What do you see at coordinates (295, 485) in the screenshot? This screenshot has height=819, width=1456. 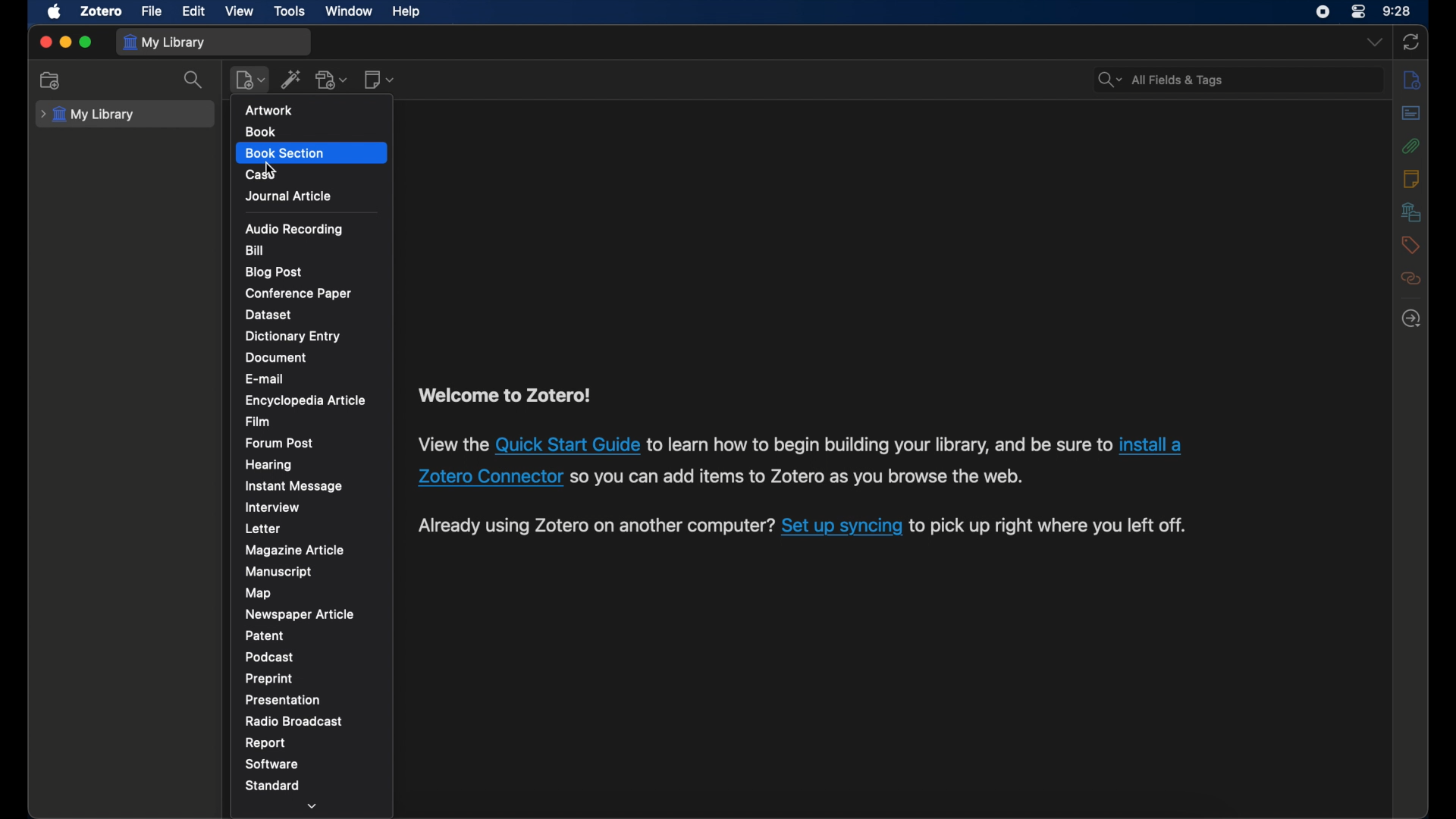 I see `instant message` at bounding box center [295, 485].